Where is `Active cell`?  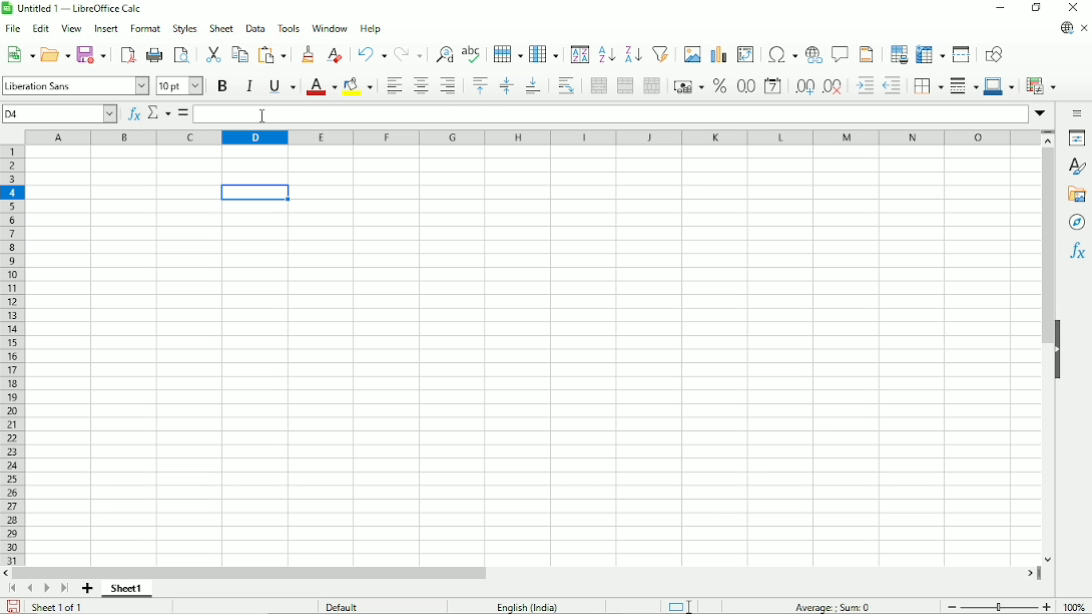
Active cell is located at coordinates (256, 193).